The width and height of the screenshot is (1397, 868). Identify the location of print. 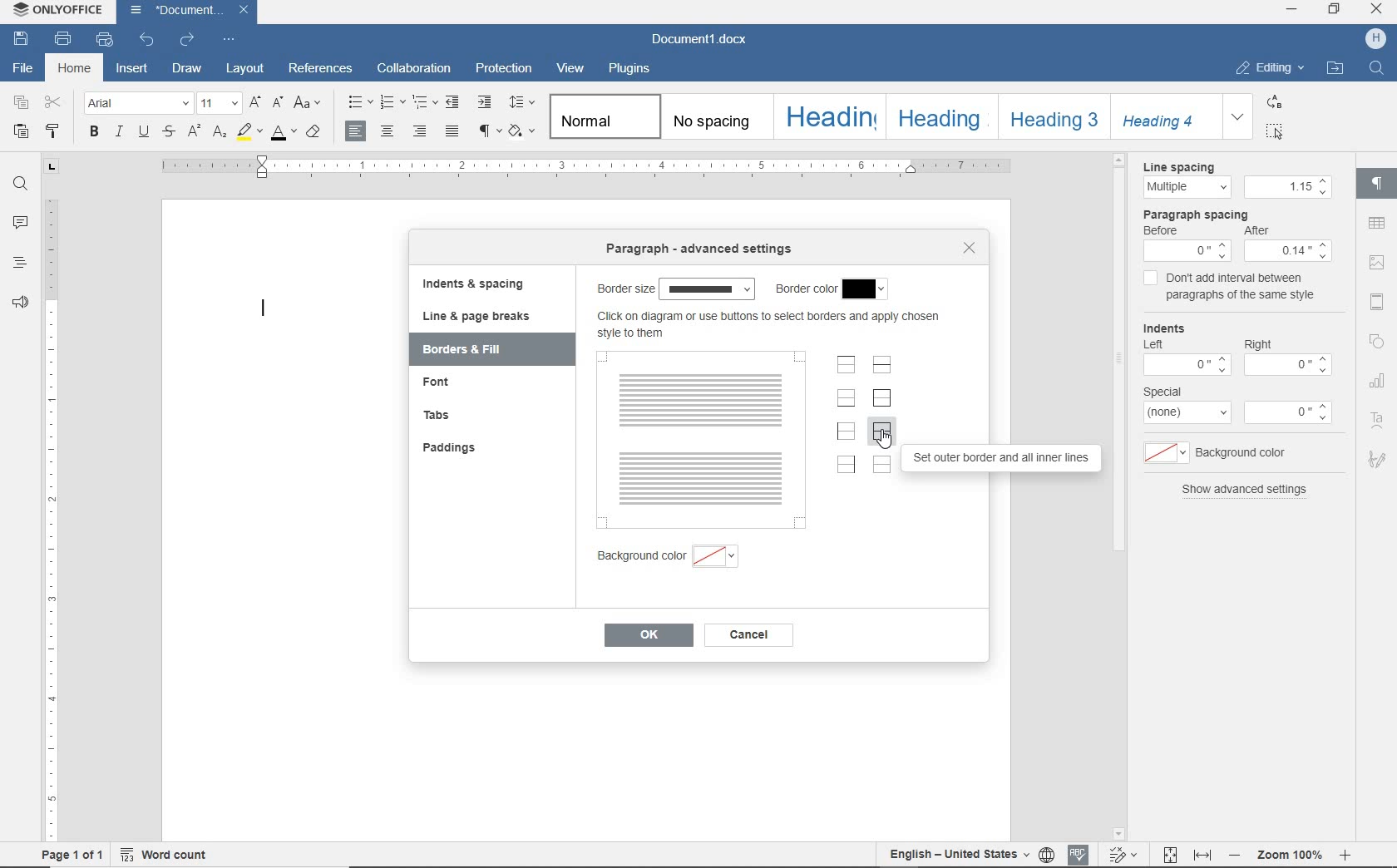
(103, 40).